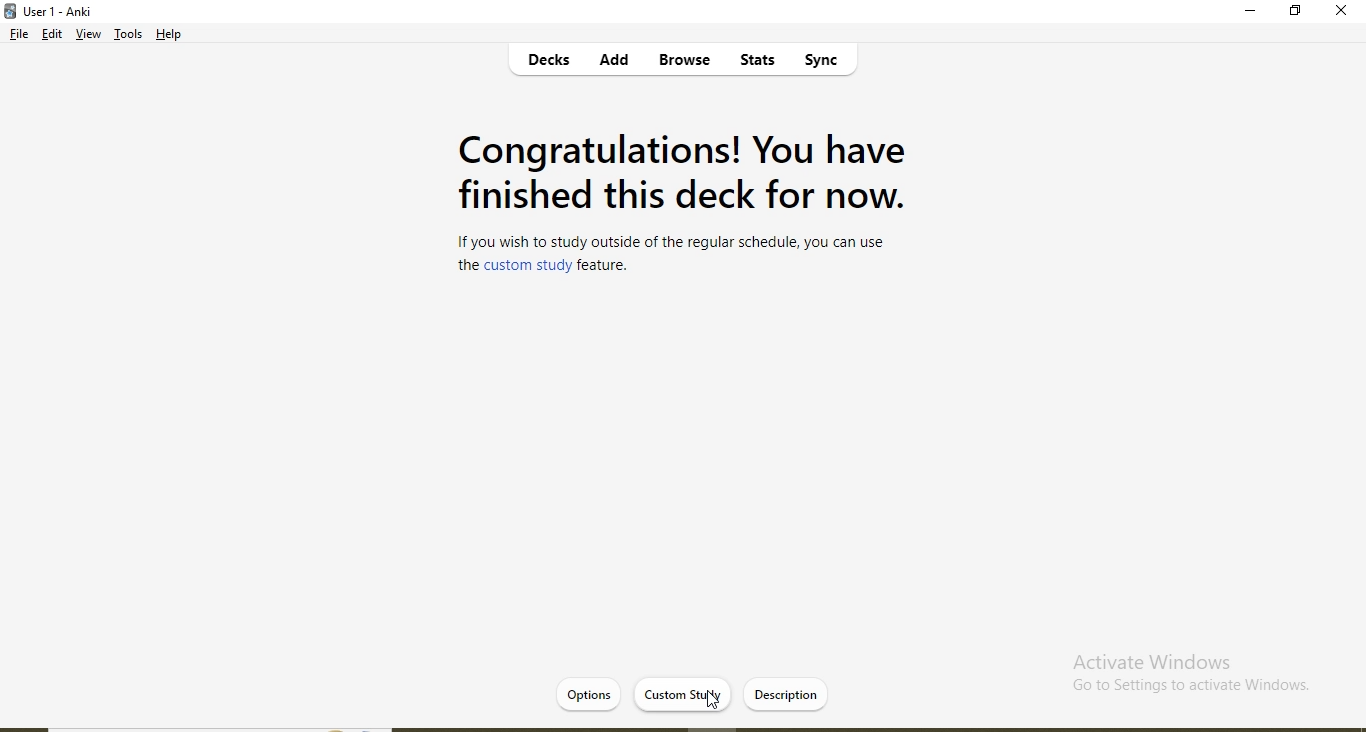 Image resolution: width=1366 pixels, height=732 pixels. Describe the element at coordinates (17, 36) in the screenshot. I see `file` at that location.